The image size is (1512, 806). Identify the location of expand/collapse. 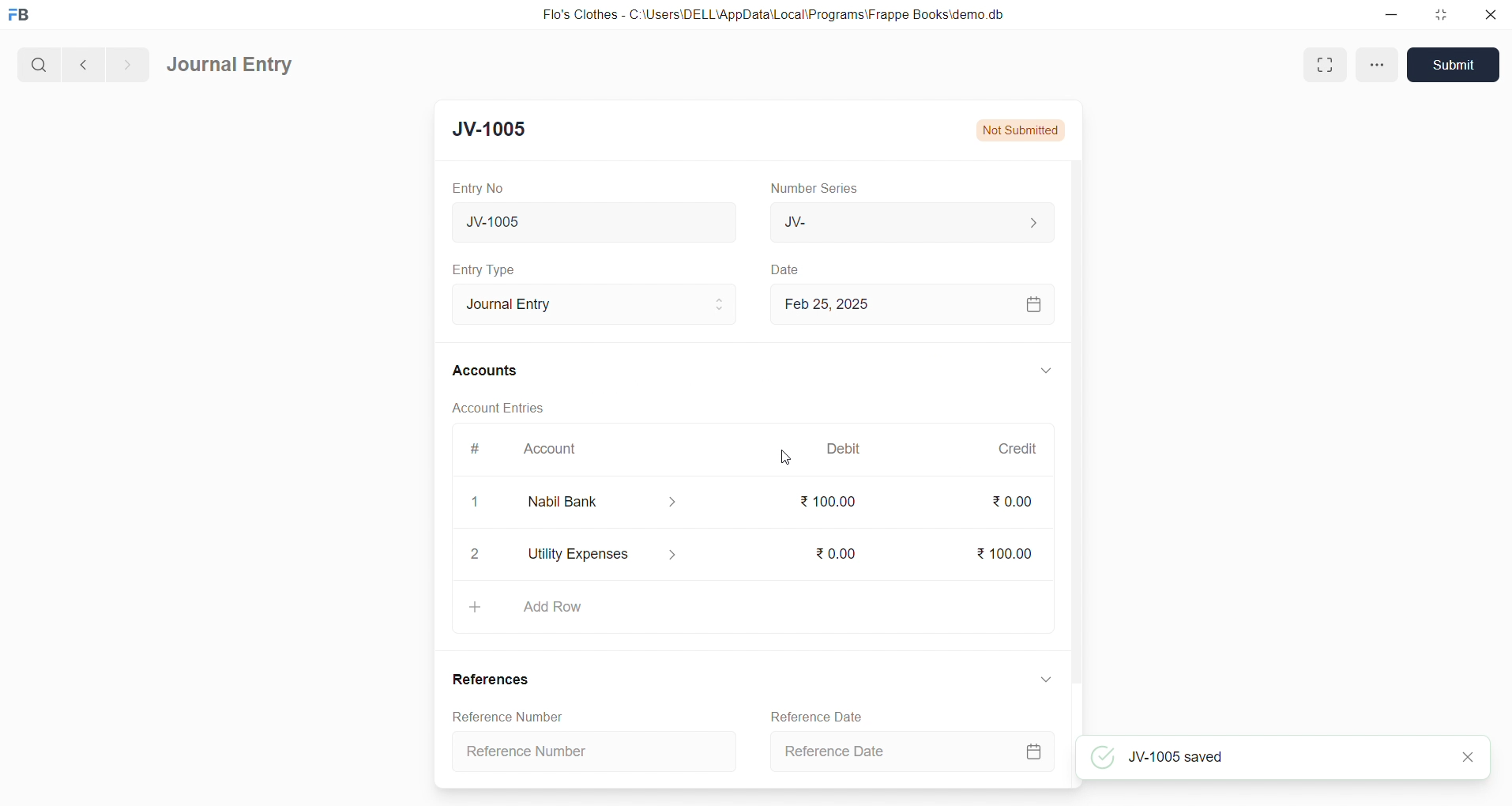
(1039, 371).